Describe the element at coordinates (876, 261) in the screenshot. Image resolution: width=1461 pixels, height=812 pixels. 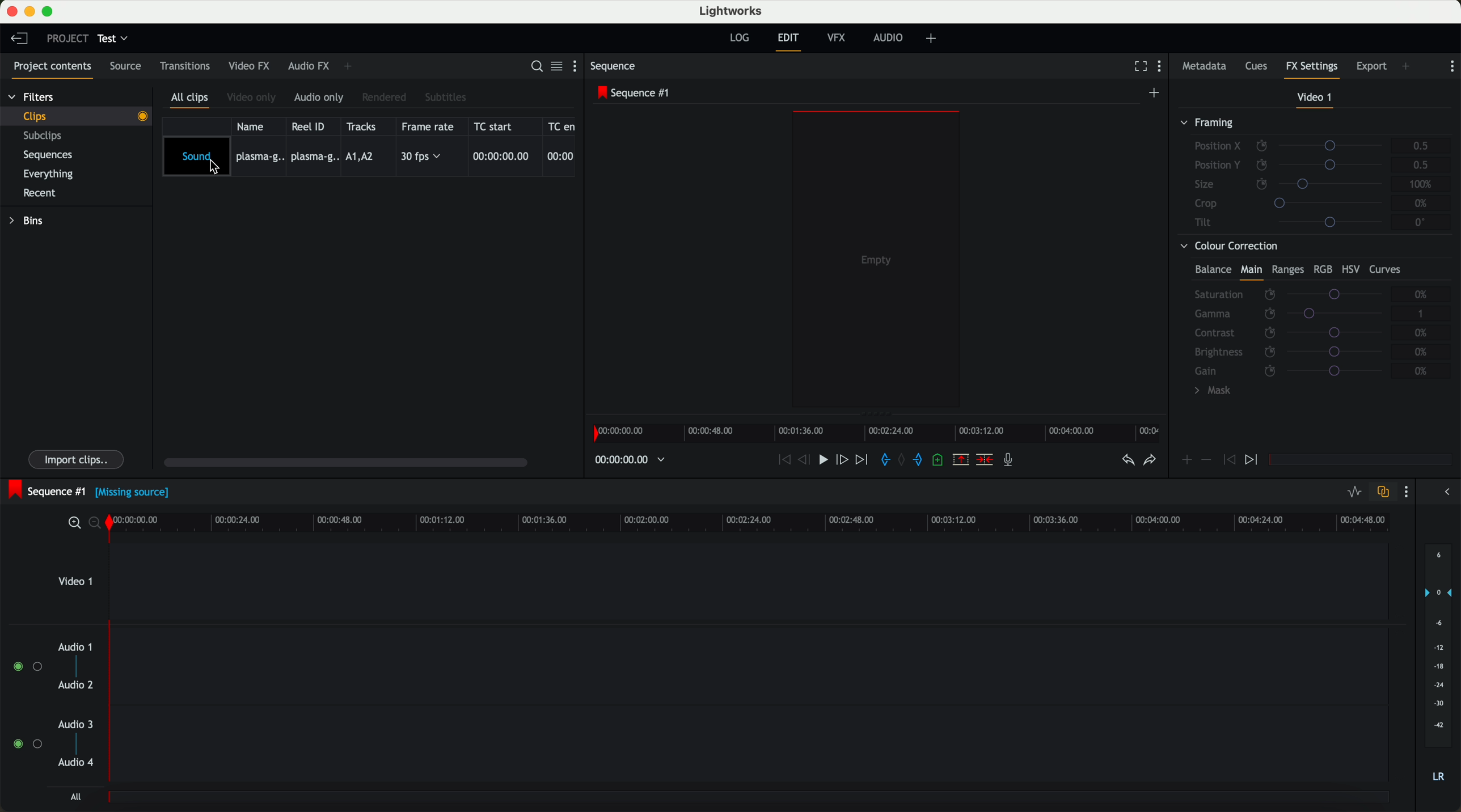
I see `workspace` at that location.